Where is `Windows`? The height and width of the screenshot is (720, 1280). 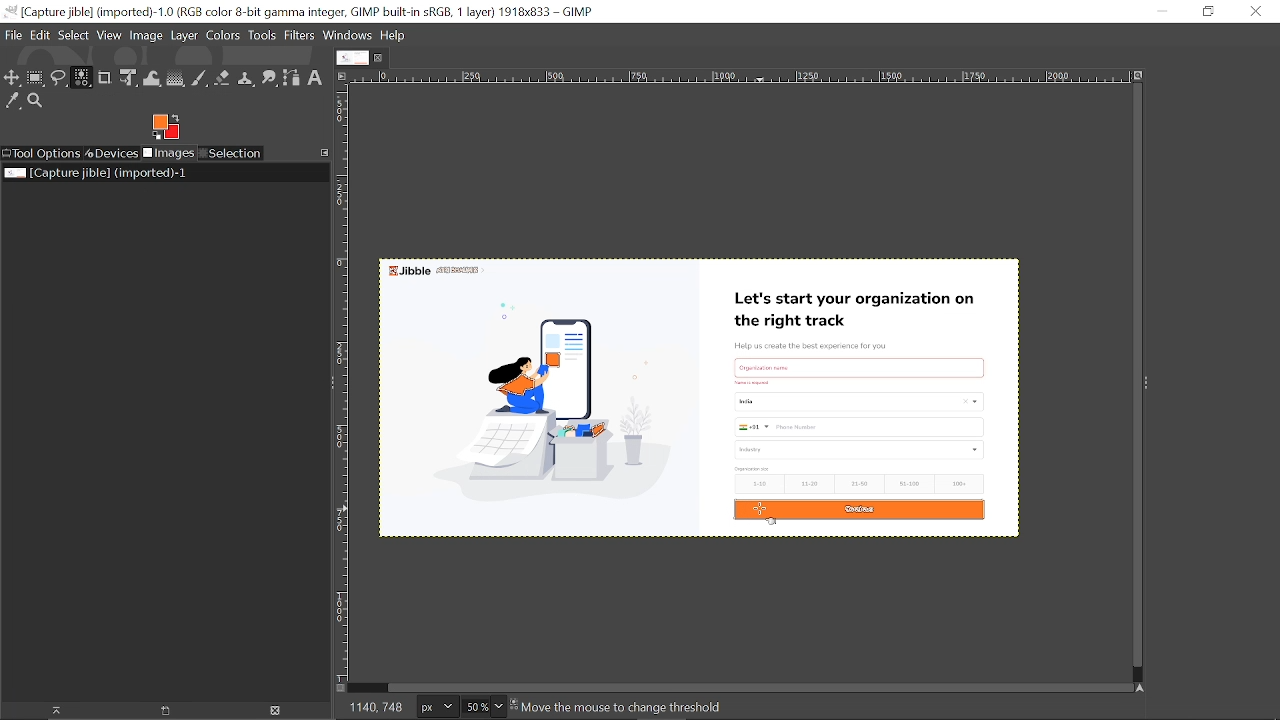
Windows is located at coordinates (349, 36).